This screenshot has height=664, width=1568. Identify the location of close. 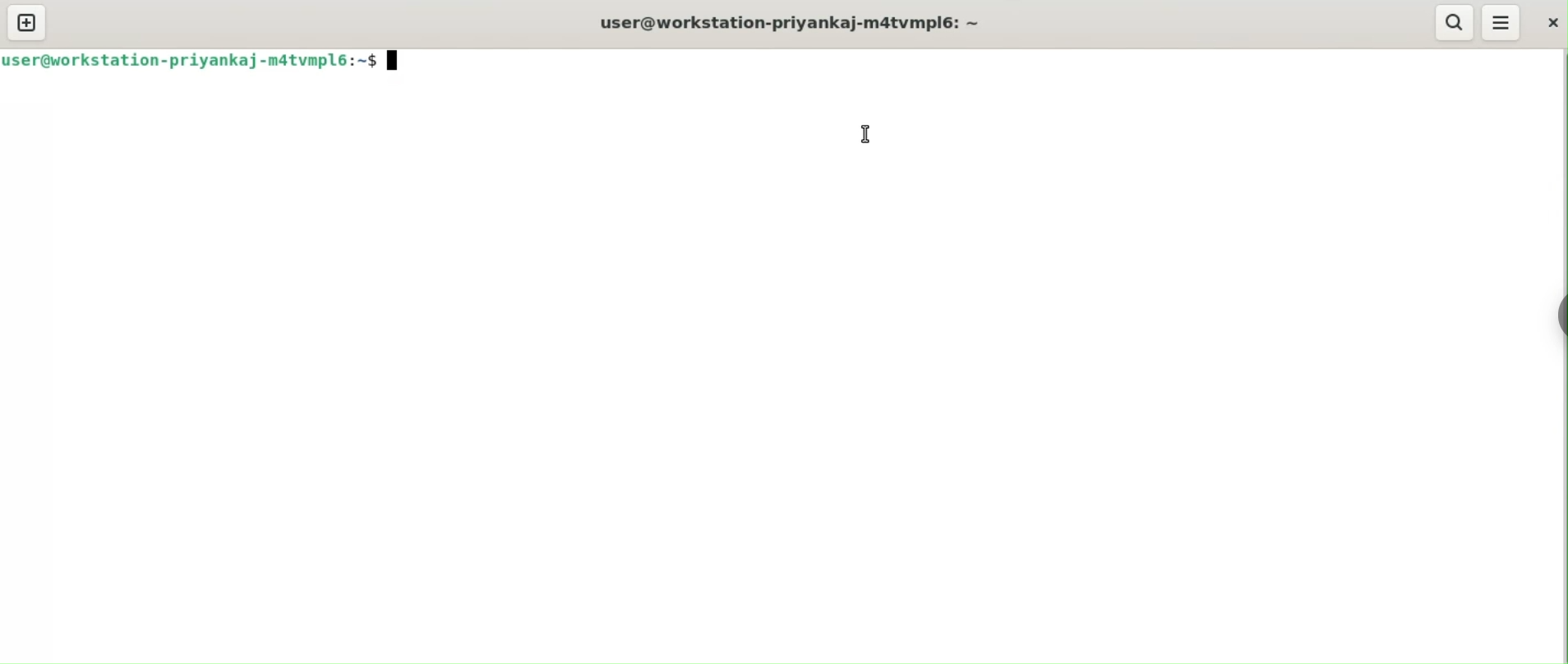
(1547, 20).